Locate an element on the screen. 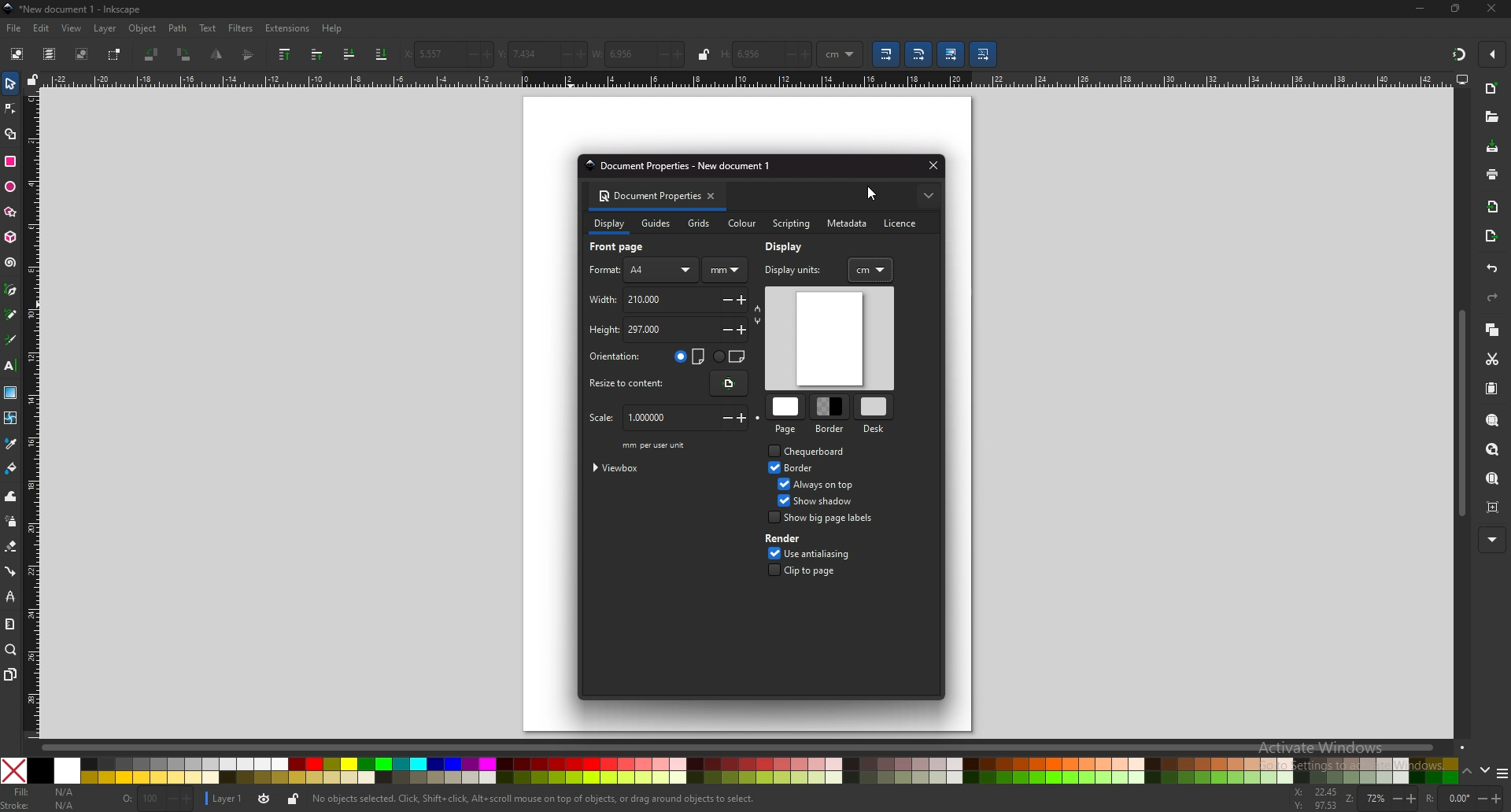  zoom drawing is located at coordinates (1493, 449).